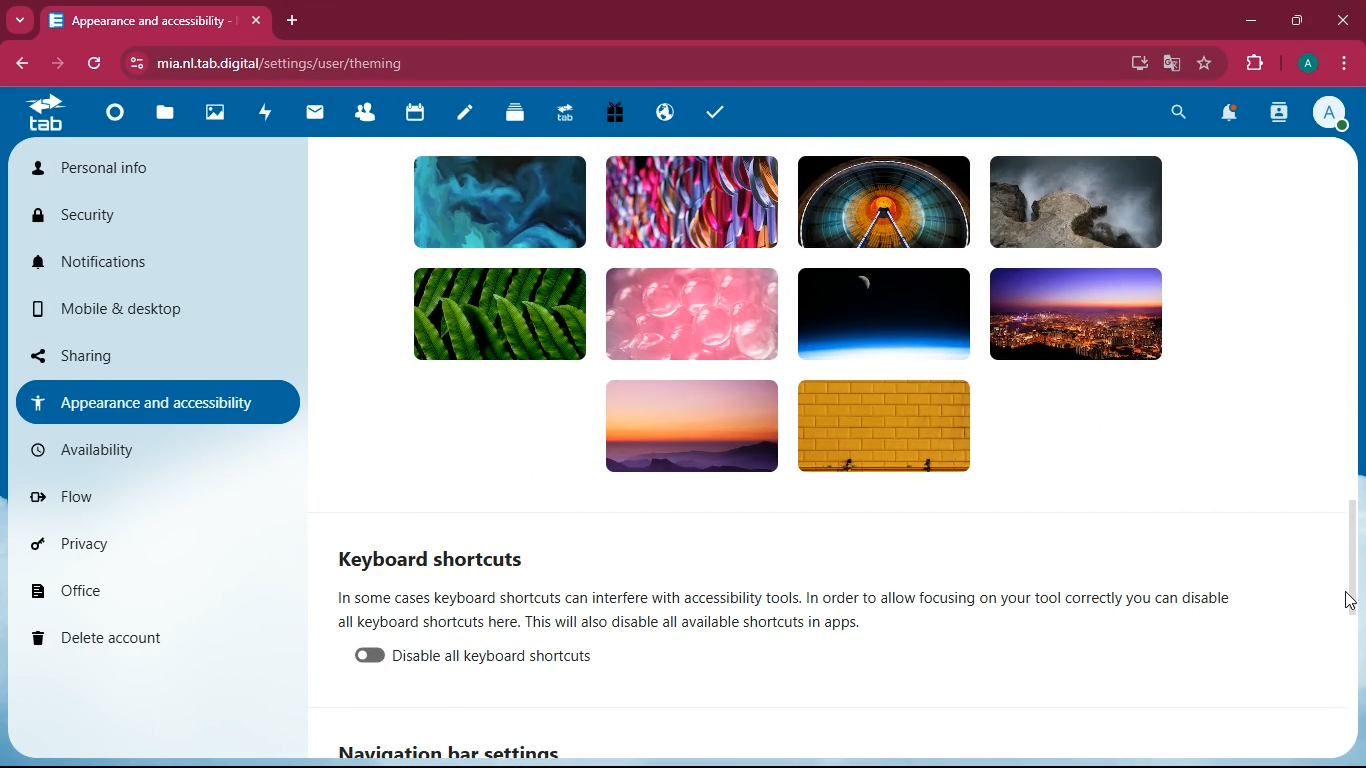 This screenshot has width=1366, height=768. I want to click on images, so click(215, 113).